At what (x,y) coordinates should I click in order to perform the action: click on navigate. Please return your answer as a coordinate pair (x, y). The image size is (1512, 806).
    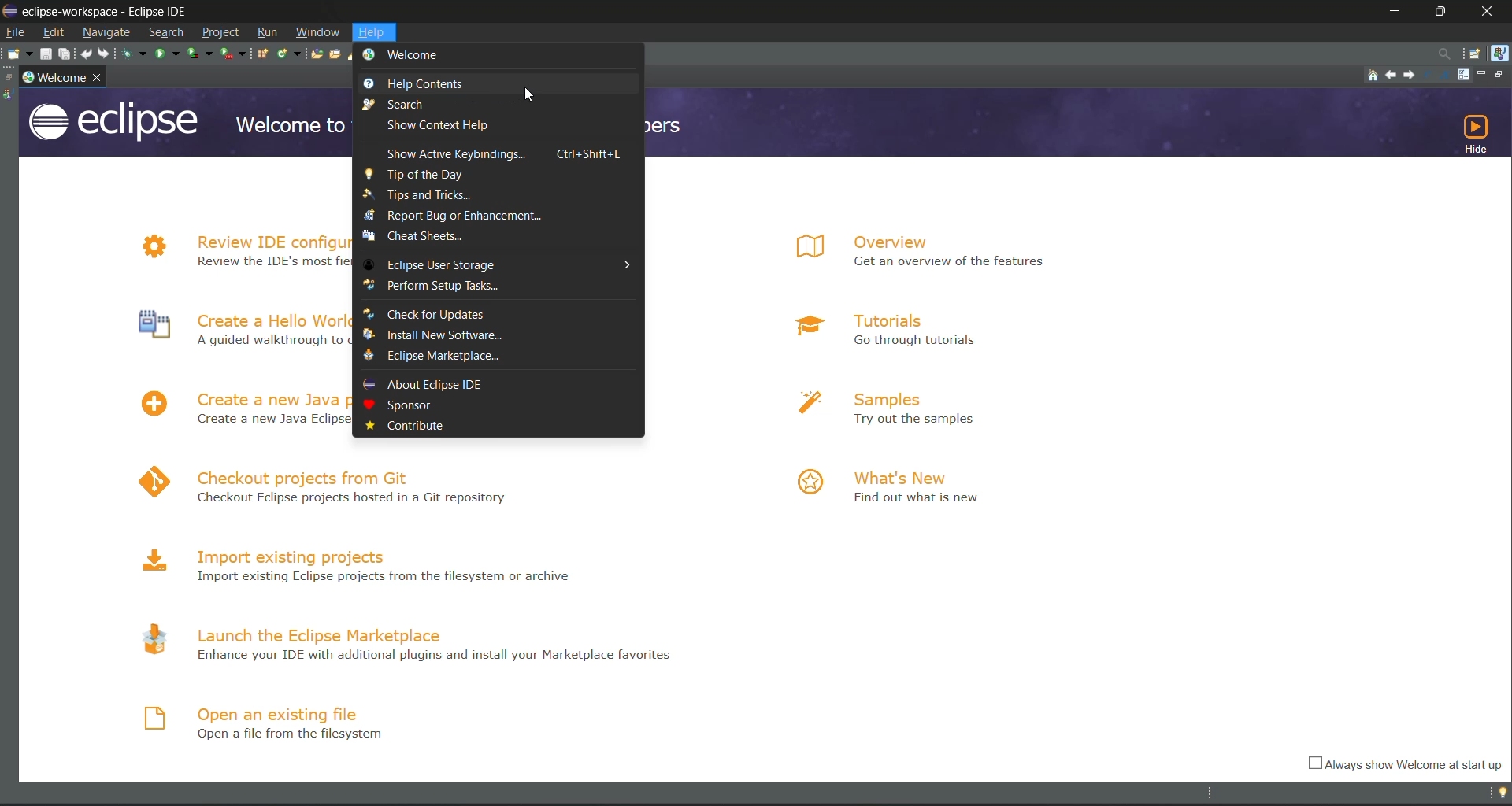
    Looking at the image, I should click on (109, 33).